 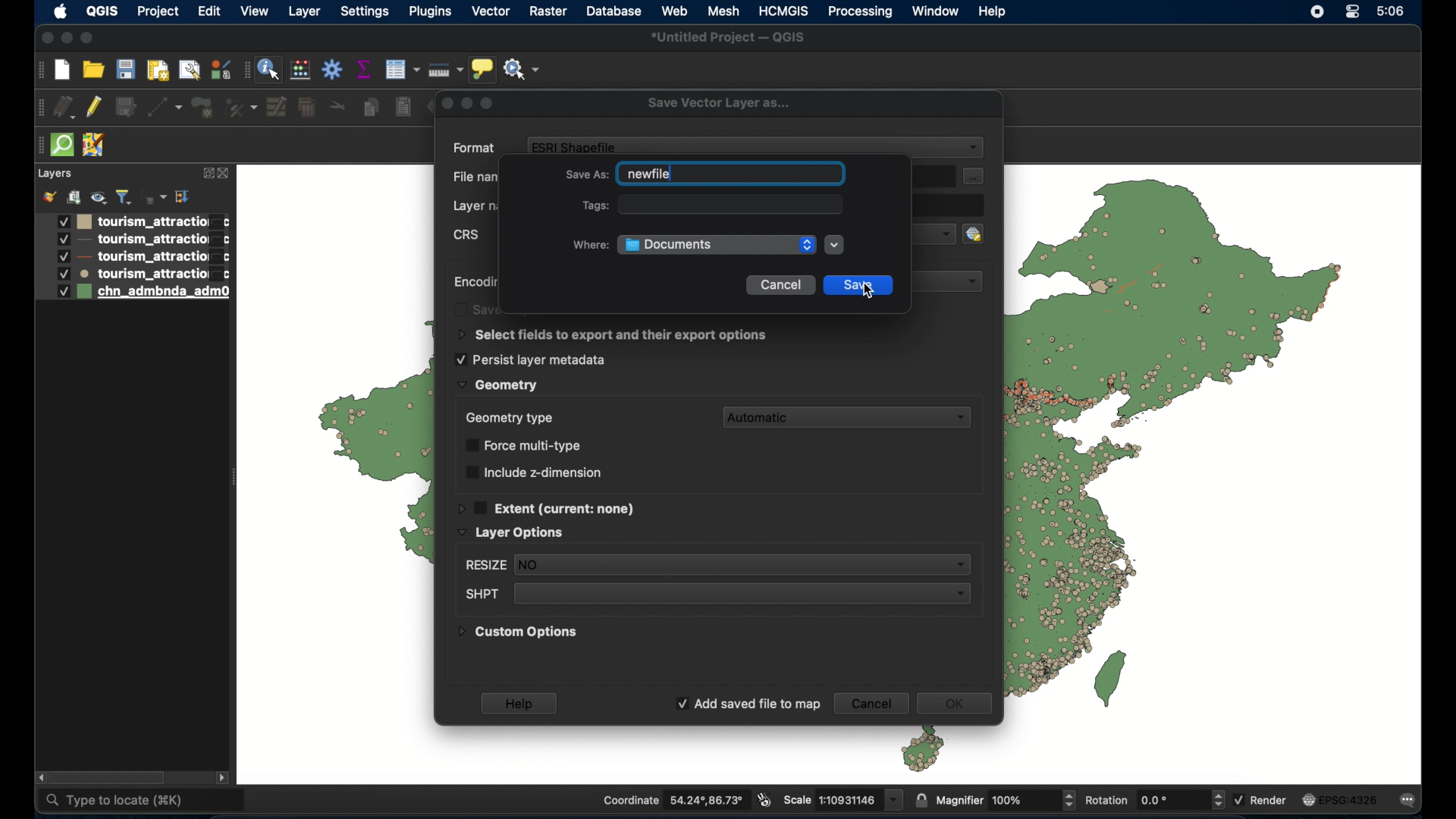 What do you see at coordinates (576, 146) in the screenshot?
I see `ESRI share file` at bounding box center [576, 146].